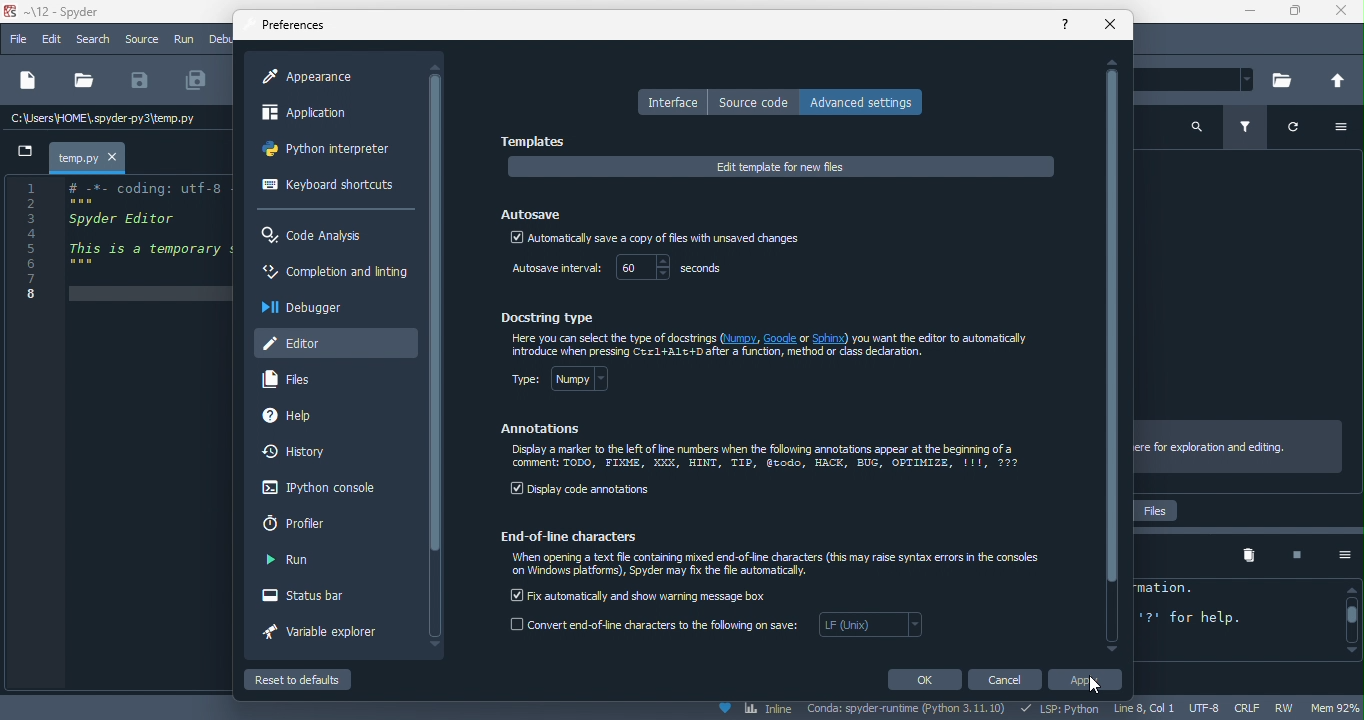 The image size is (1364, 720). Describe the element at coordinates (436, 313) in the screenshot. I see `vertical scroll bar` at that location.